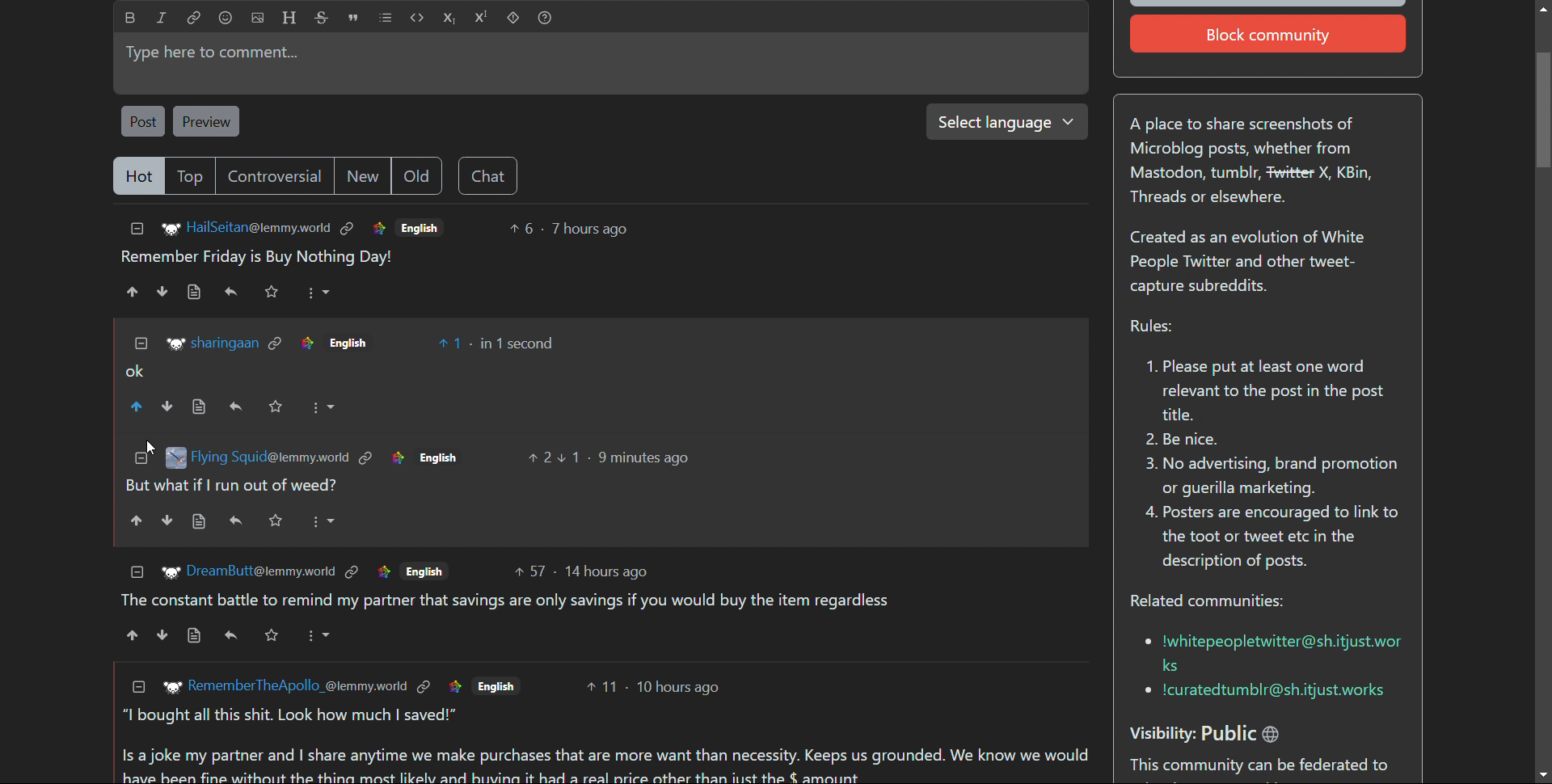  Describe the element at coordinates (276, 175) in the screenshot. I see `controversial` at that location.